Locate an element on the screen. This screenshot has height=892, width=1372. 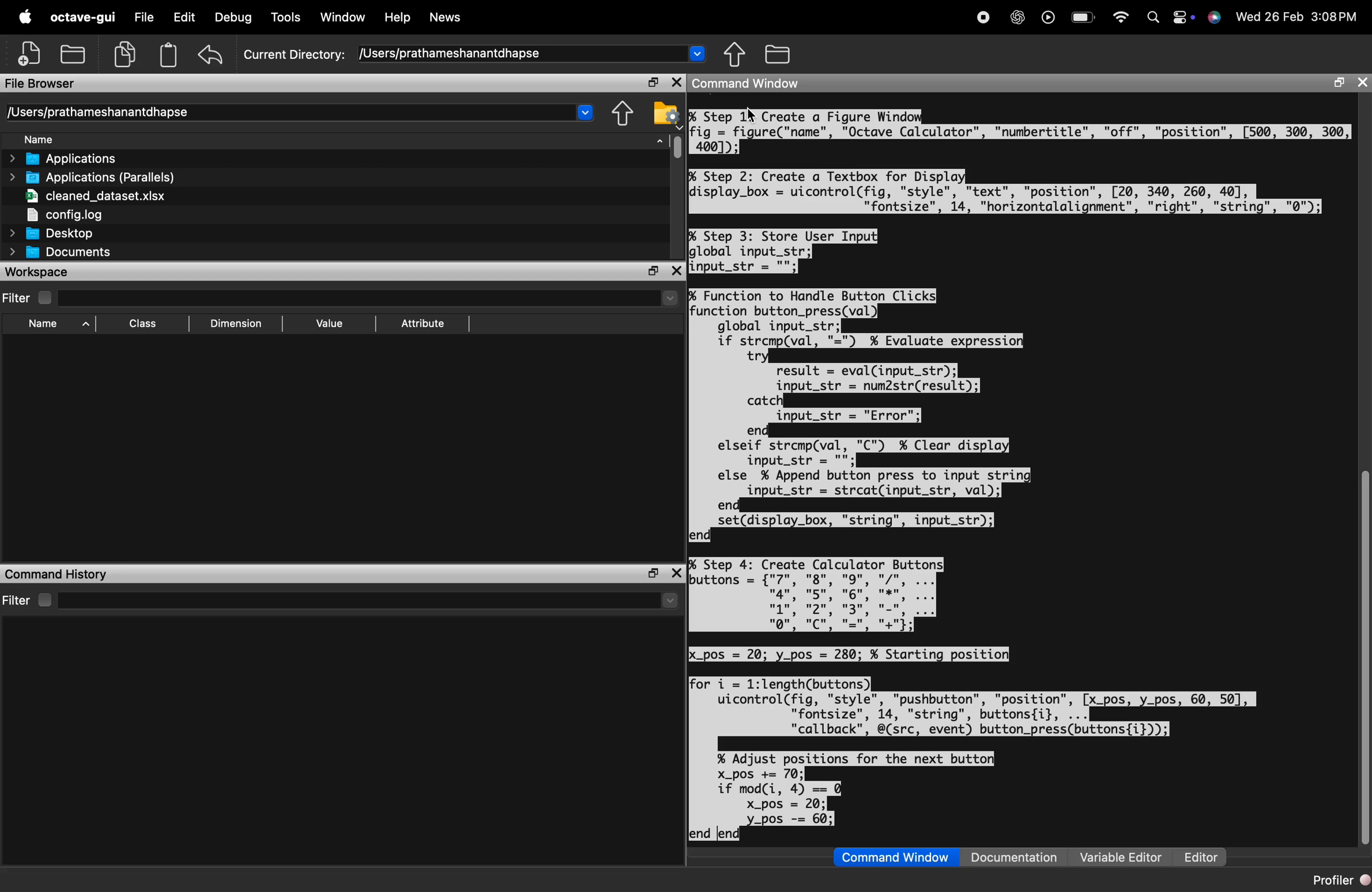
paste is located at coordinates (167, 55).